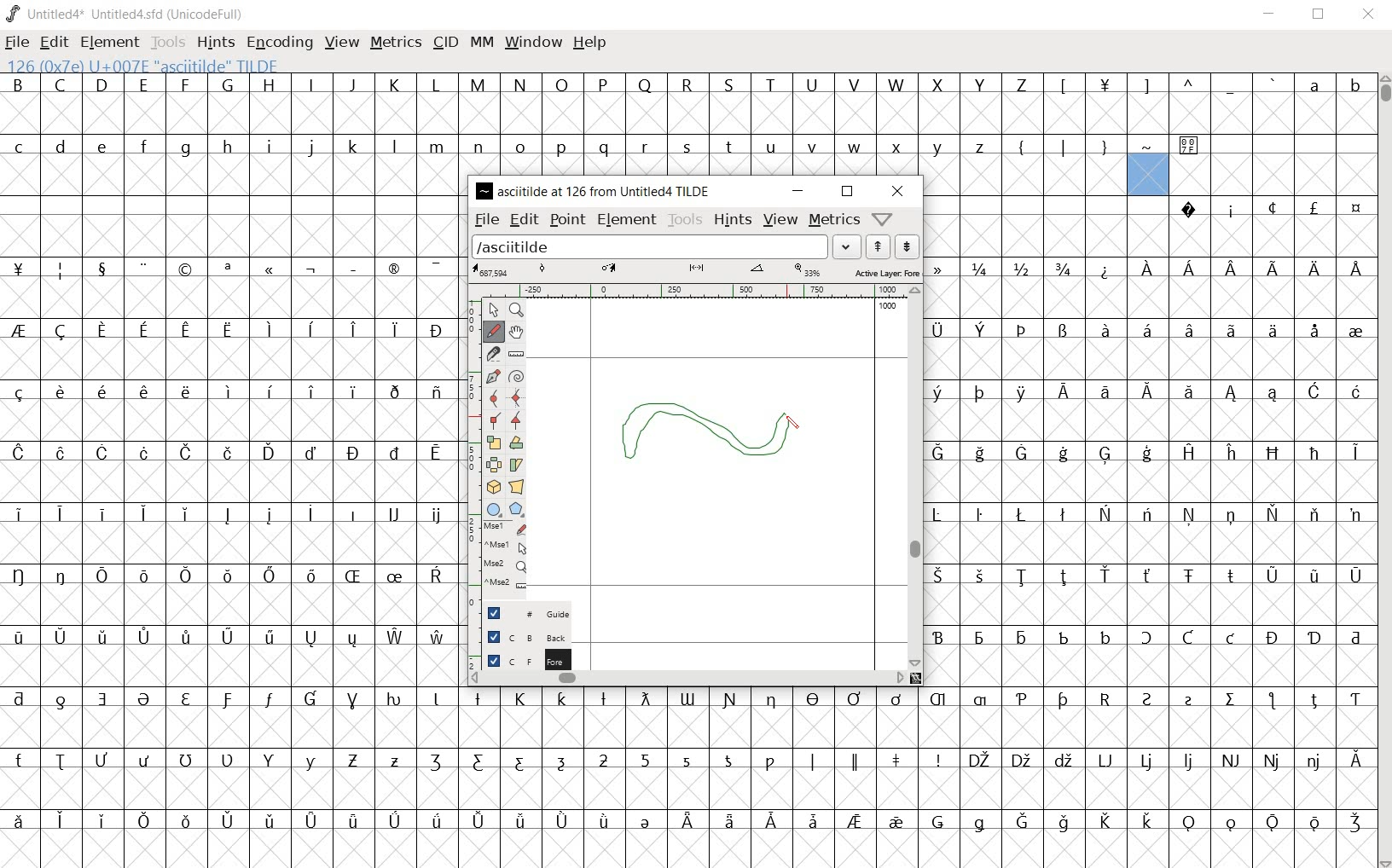 The image size is (1392, 868). Describe the element at coordinates (1383, 471) in the screenshot. I see `SCROLLBAR` at that location.